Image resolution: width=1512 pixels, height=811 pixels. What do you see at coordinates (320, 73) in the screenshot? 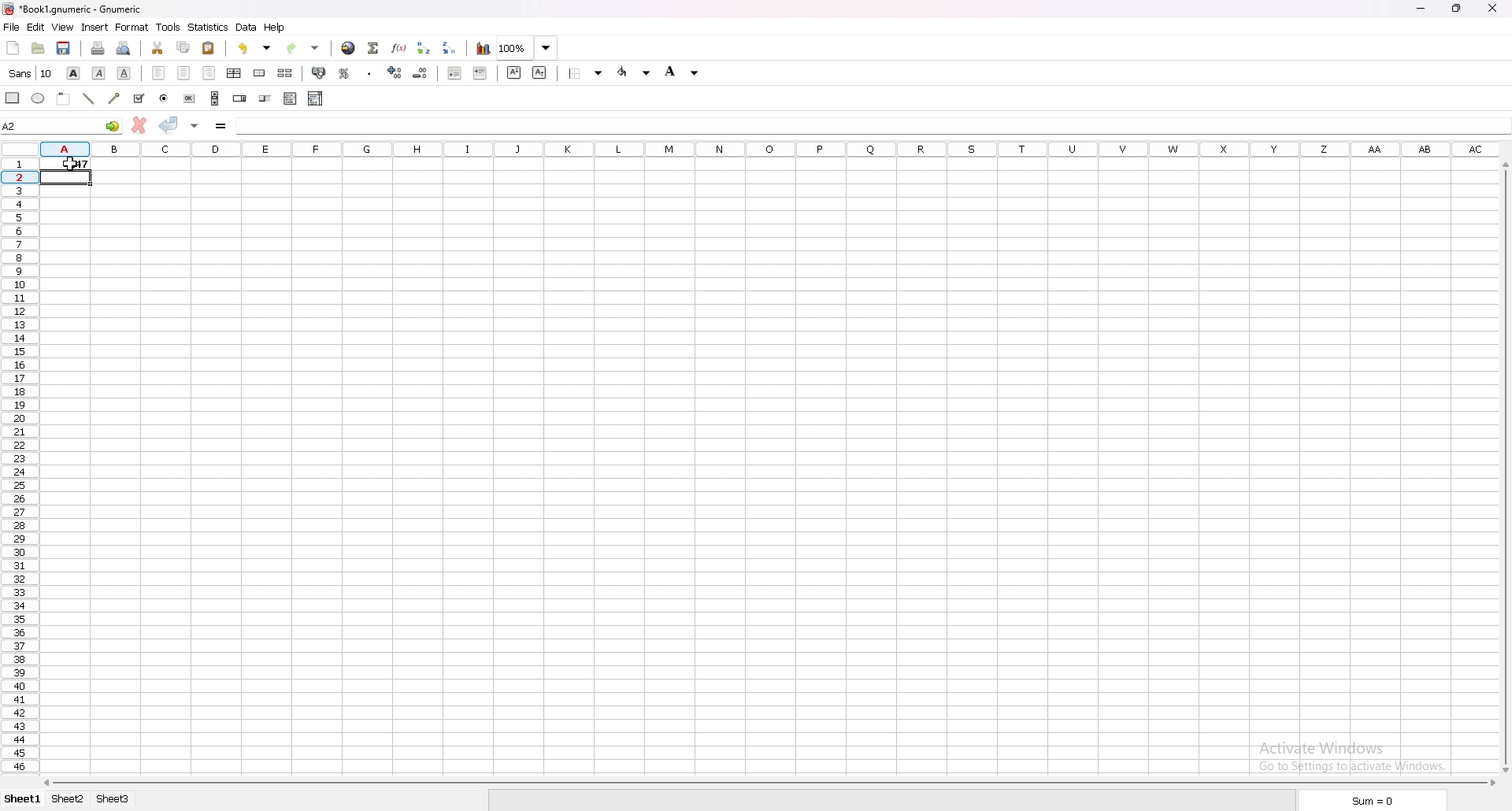
I see `accounting` at bounding box center [320, 73].